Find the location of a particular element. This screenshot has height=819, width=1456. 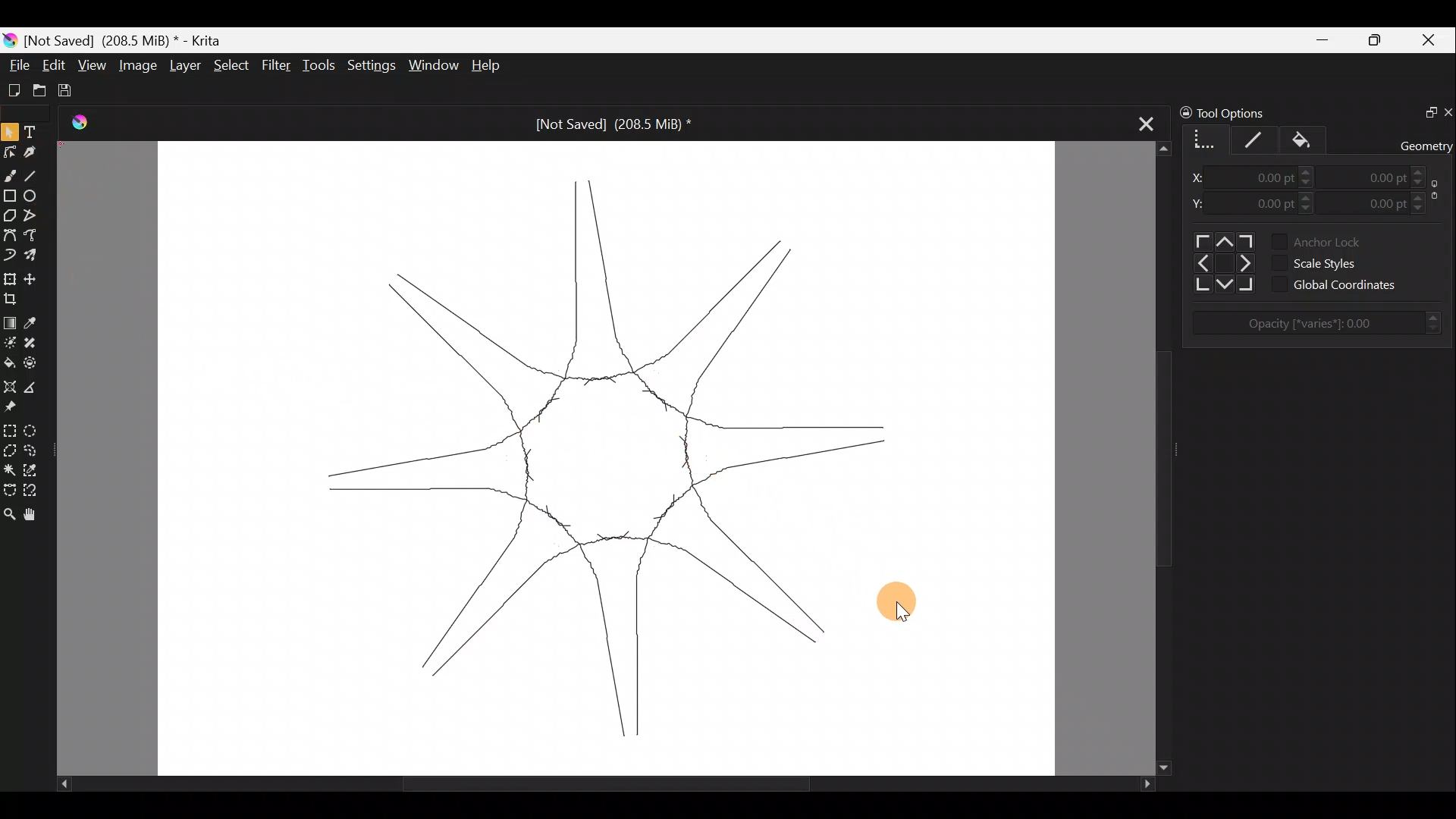

Help is located at coordinates (496, 65).